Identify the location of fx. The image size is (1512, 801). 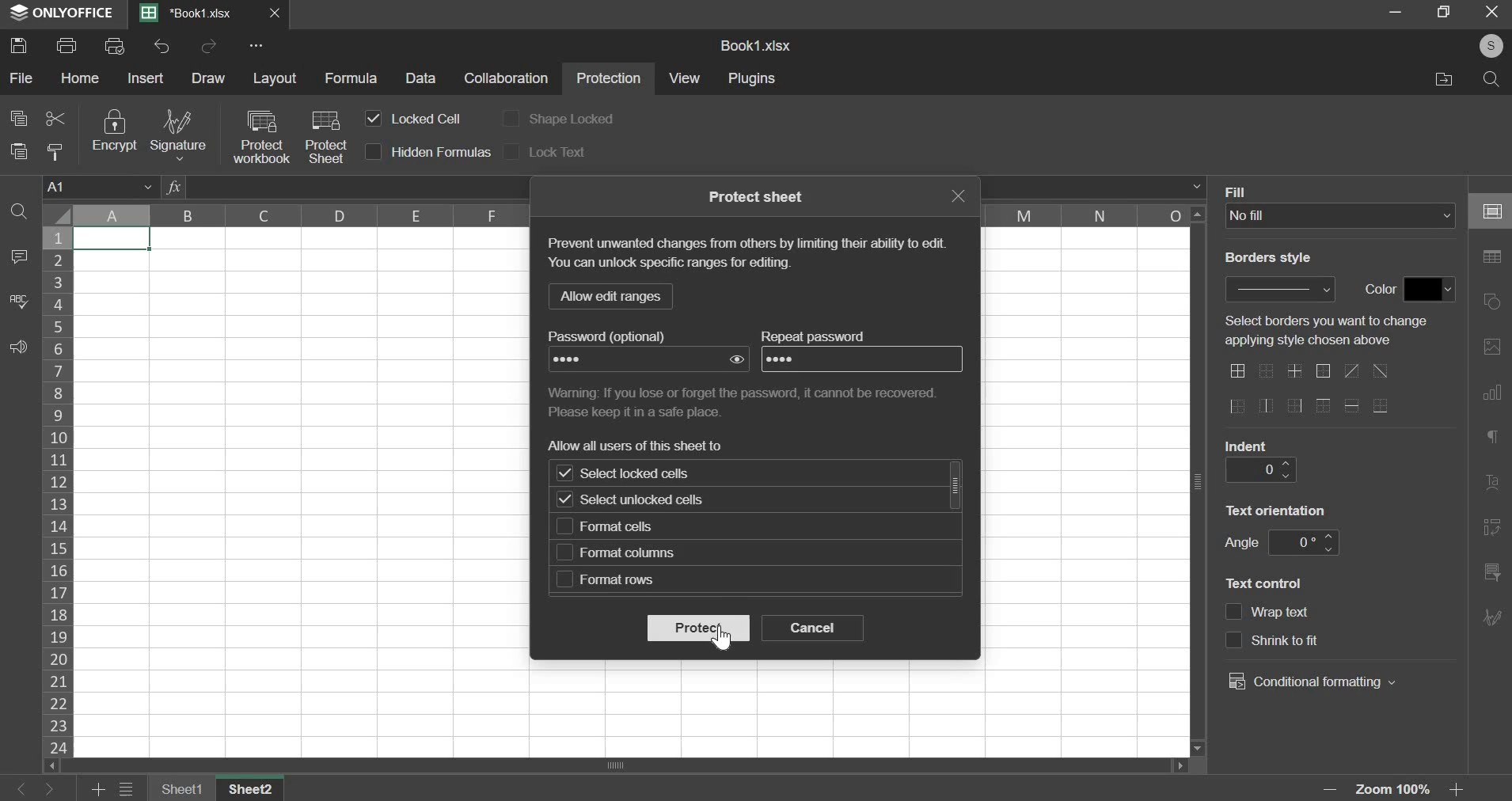
(173, 187).